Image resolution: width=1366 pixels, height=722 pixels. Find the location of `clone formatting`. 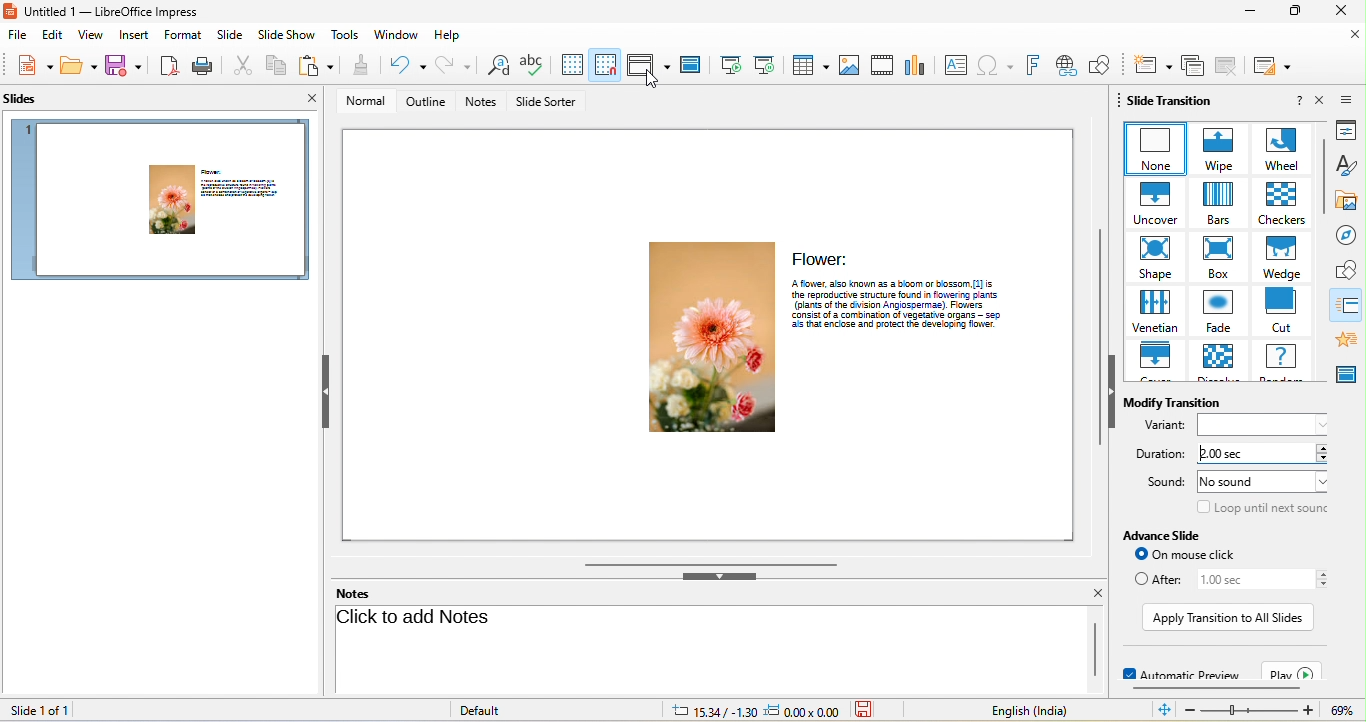

clone formatting is located at coordinates (356, 66).